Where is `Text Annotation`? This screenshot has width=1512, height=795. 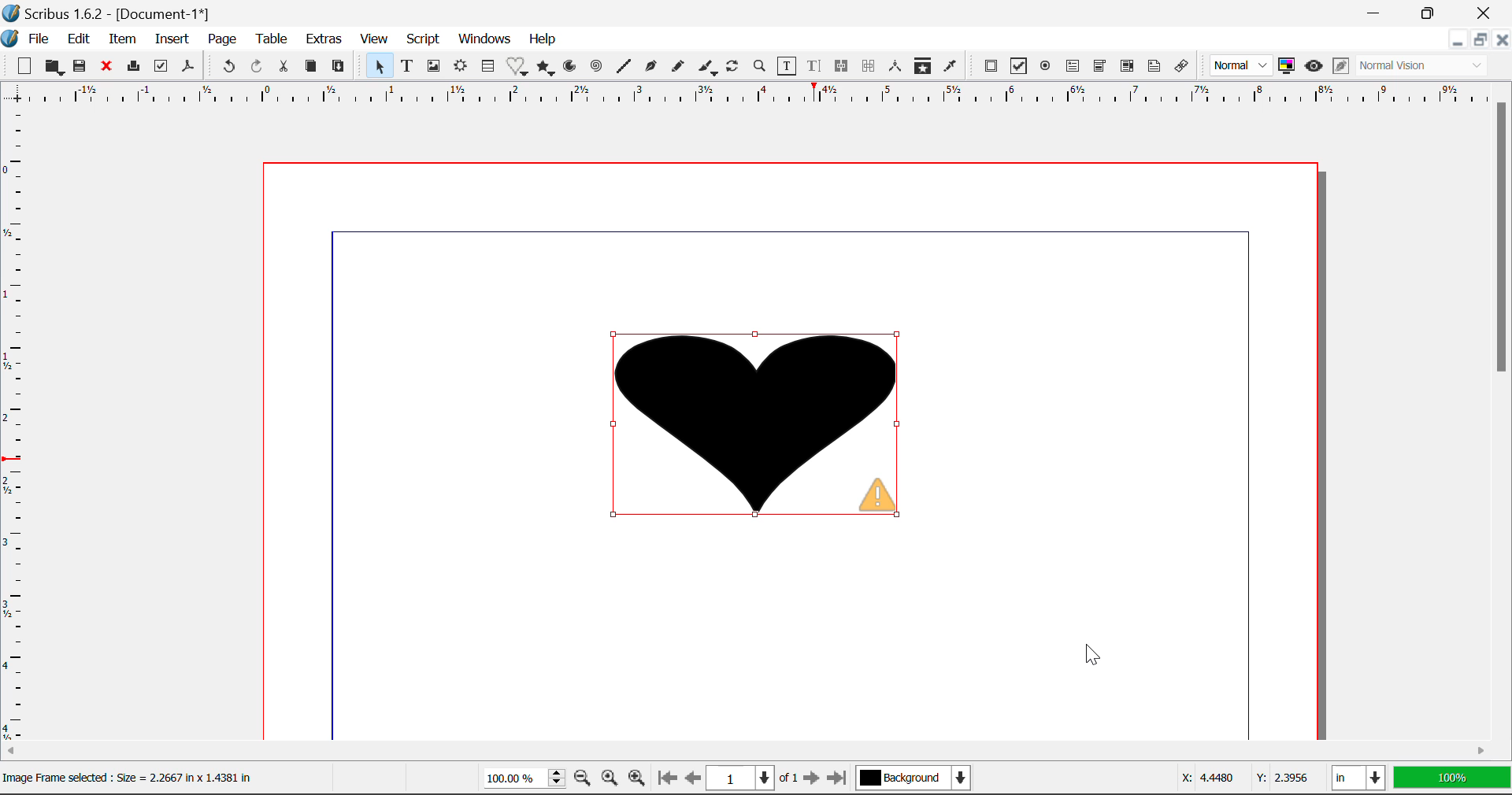
Text Annotation is located at coordinates (1153, 67).